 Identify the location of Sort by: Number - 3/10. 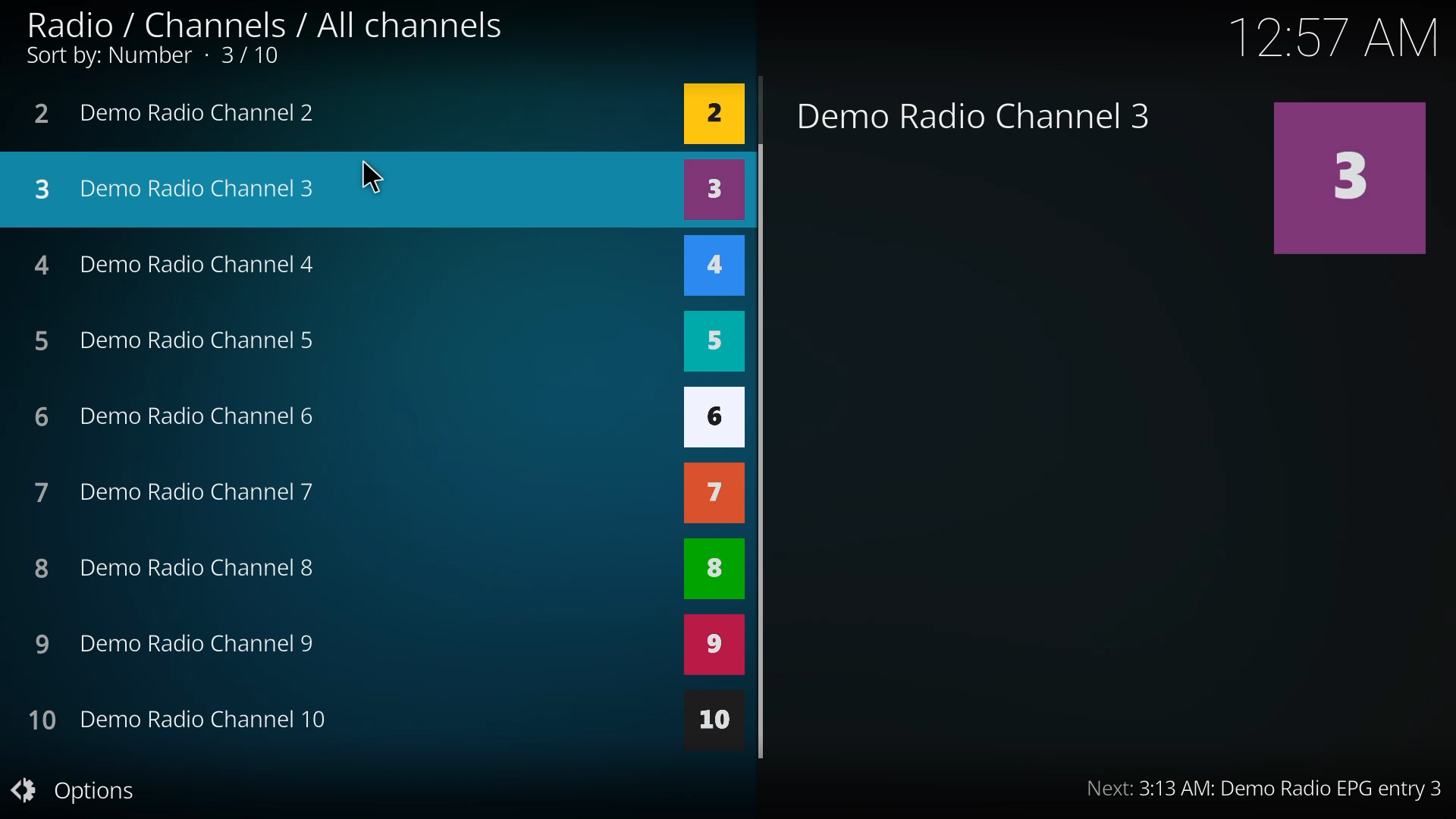
(151, 60).